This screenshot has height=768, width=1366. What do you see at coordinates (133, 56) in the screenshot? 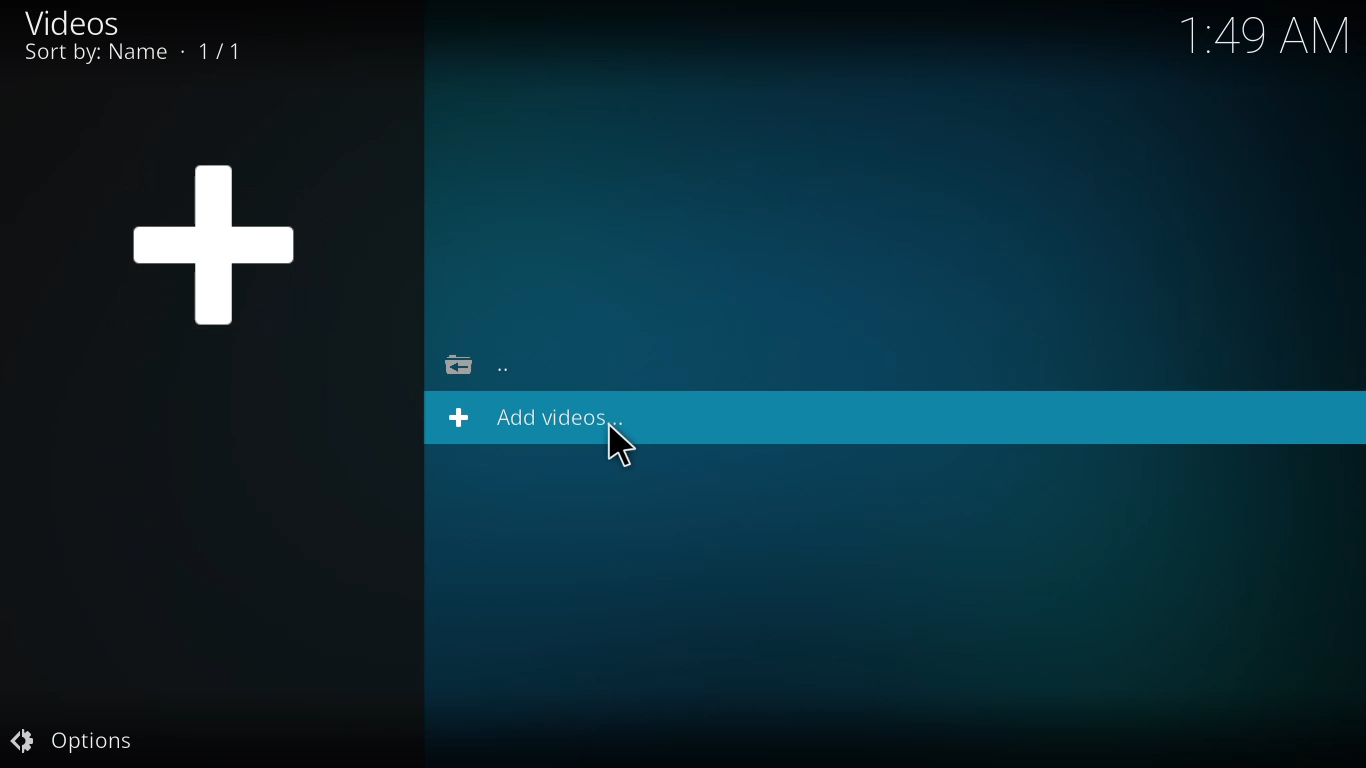
I see `sort by name` at bounding box center [133, 56].